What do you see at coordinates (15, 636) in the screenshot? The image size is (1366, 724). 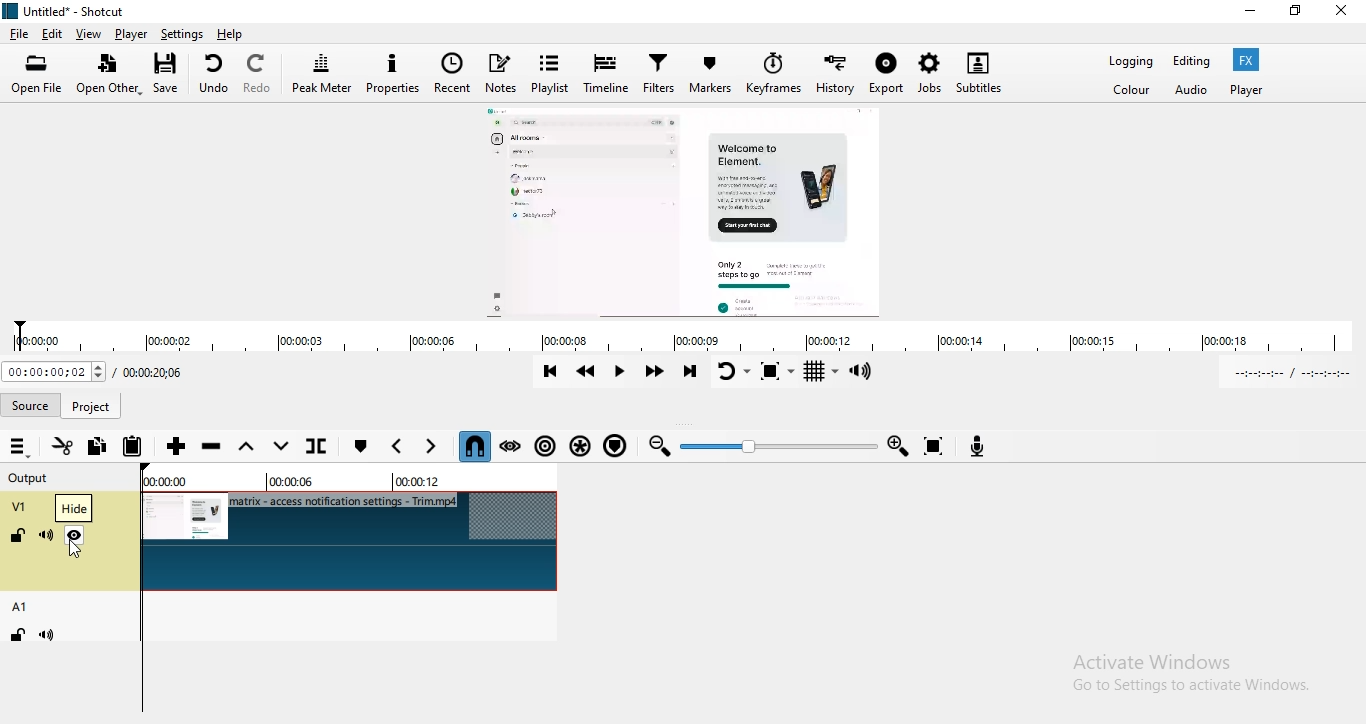 I see `lock` at bounding box center [15, 636].